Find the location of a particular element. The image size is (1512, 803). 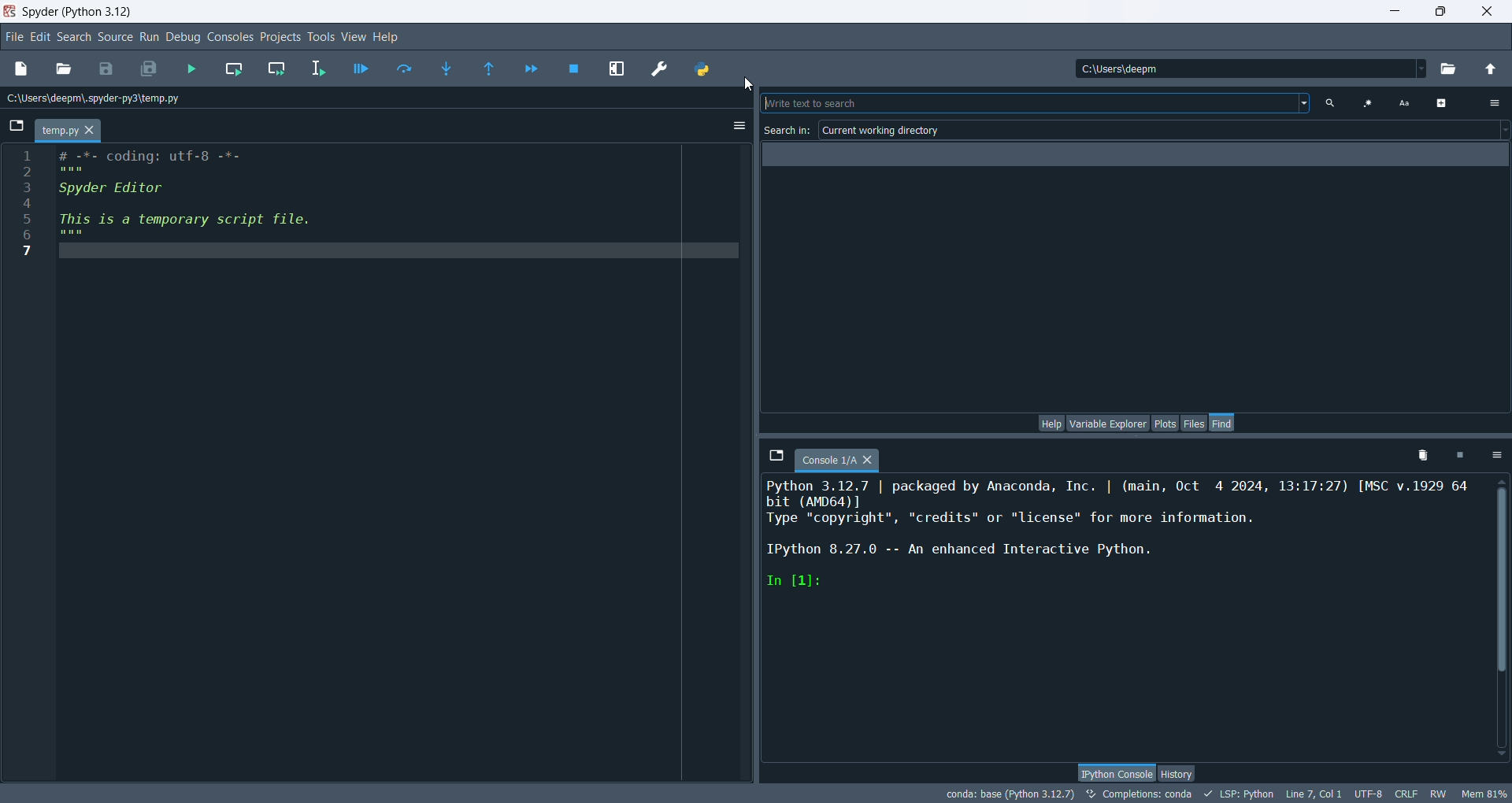

PYTHONPATH manager is located at coordinates (702, 71).